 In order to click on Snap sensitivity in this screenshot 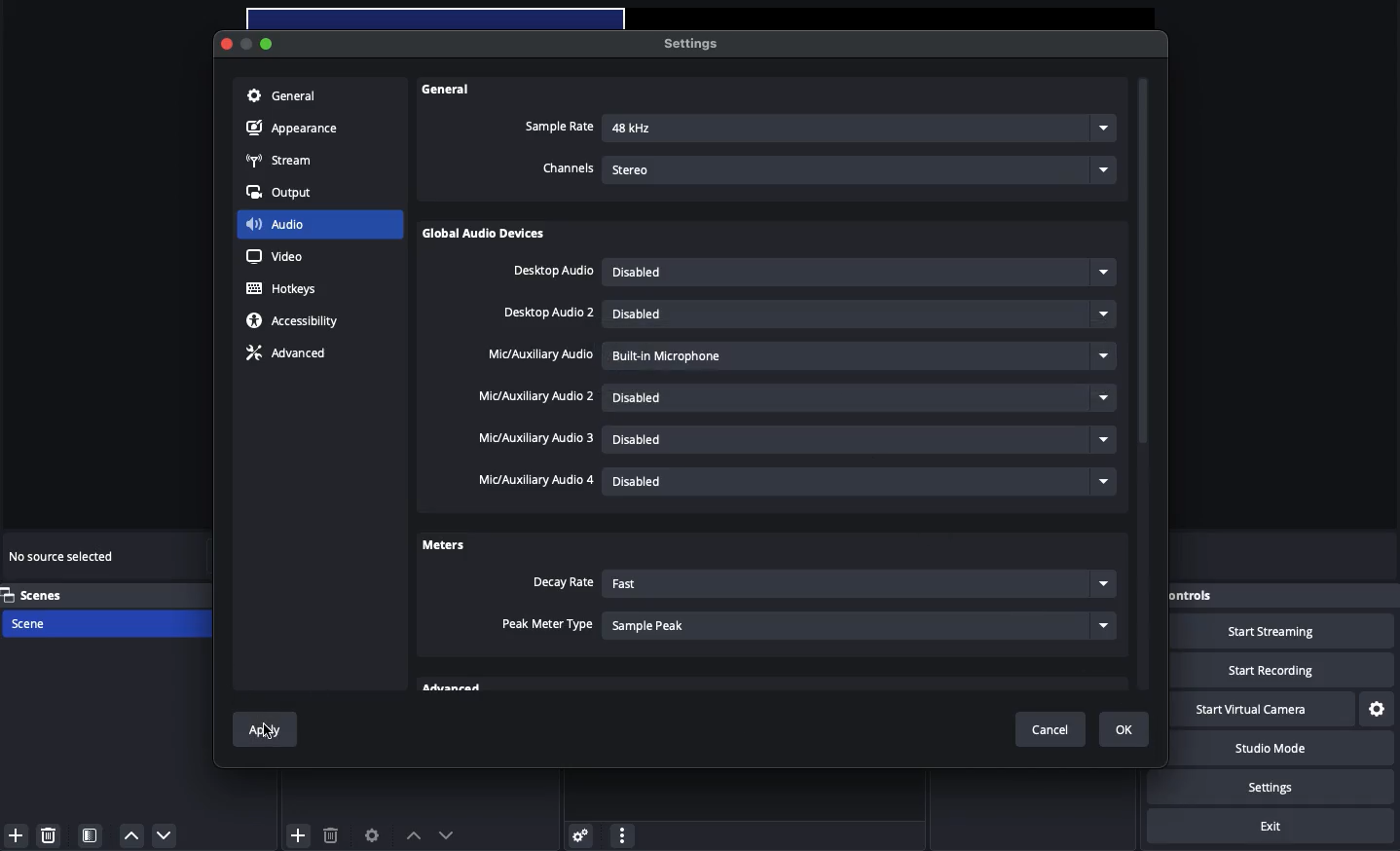, I will do `click(548, 625)`.